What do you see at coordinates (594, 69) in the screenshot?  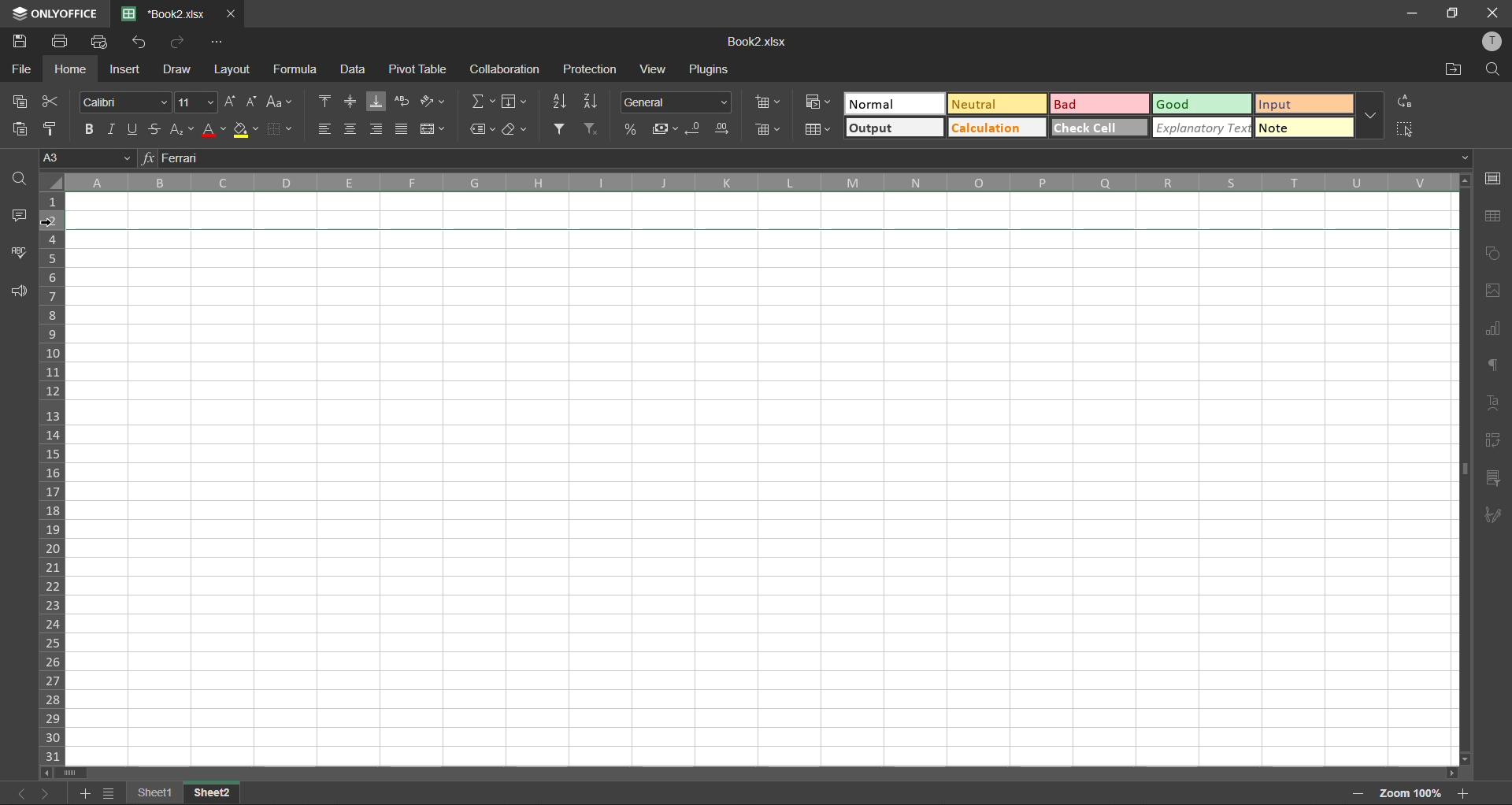 I see `protection` at bounding box center [594, 69].